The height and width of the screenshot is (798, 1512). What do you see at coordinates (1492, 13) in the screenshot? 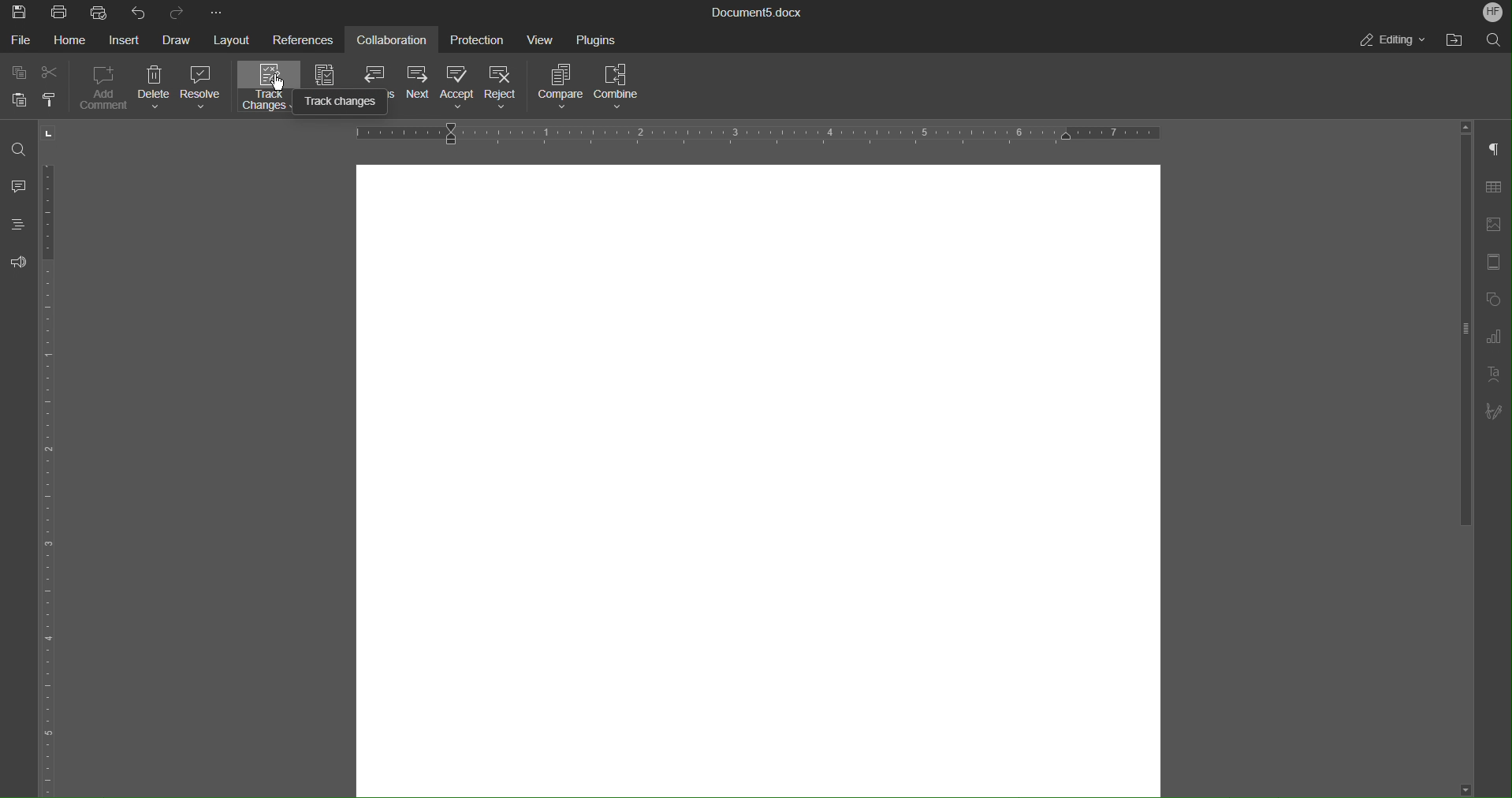
I see `Account` at bounding box center [1492, 13].